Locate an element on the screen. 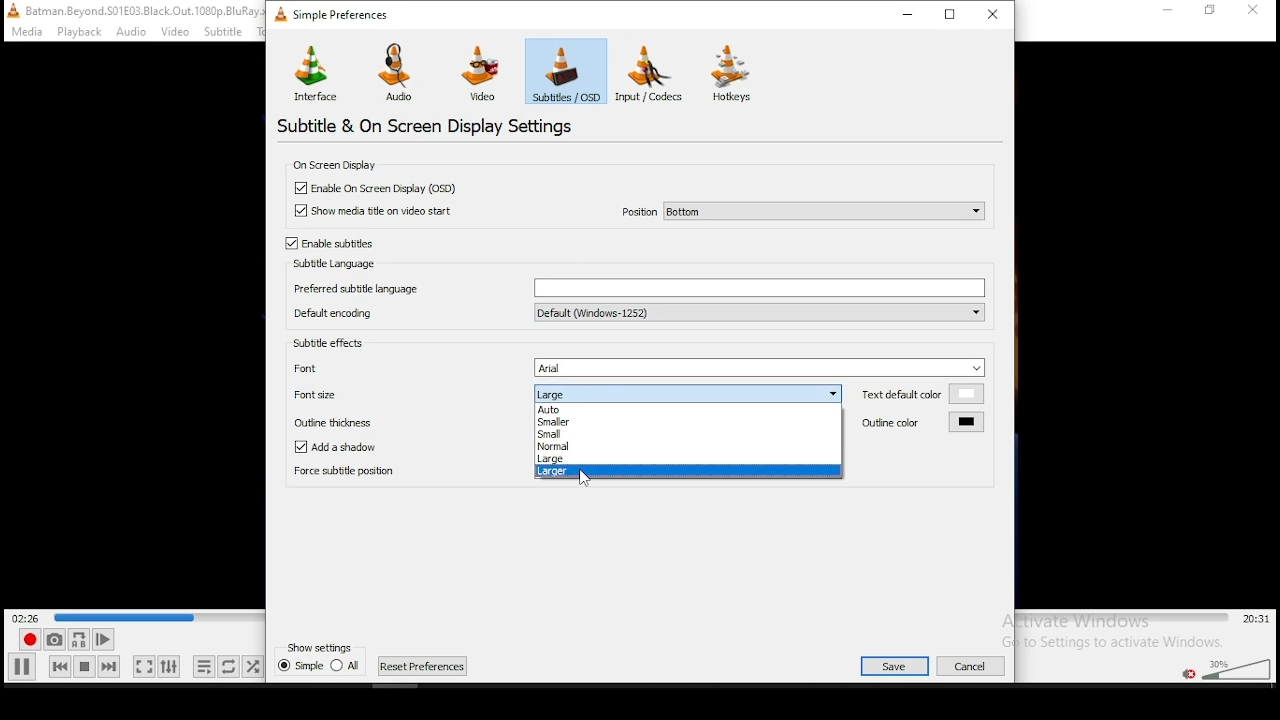 Image resolution: width=1280 pixels, height=720 pixels. input/codecs is located at coordinates (648, 73).